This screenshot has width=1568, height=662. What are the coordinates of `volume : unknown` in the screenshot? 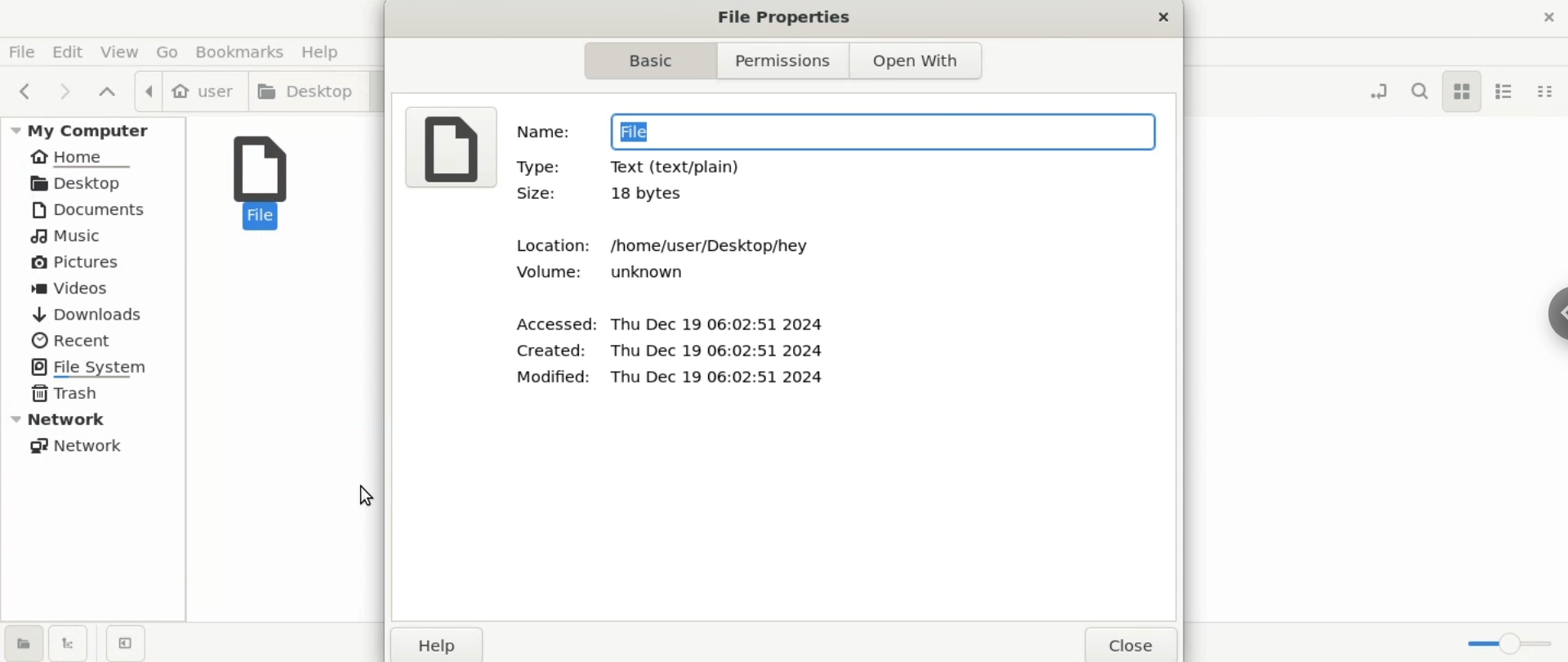 It's located at (604, 272).